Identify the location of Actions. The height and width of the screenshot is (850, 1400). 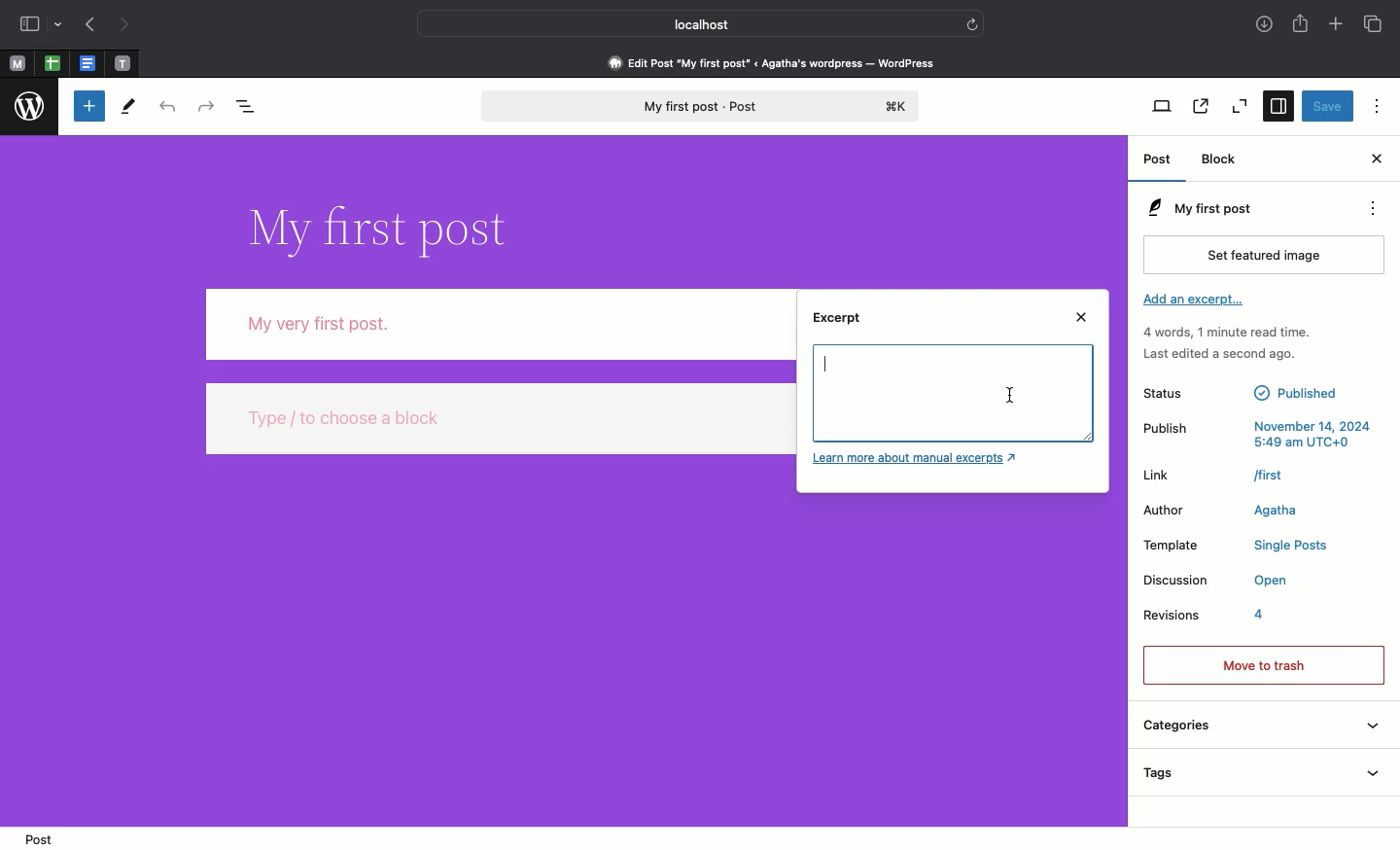
(1381, 209).